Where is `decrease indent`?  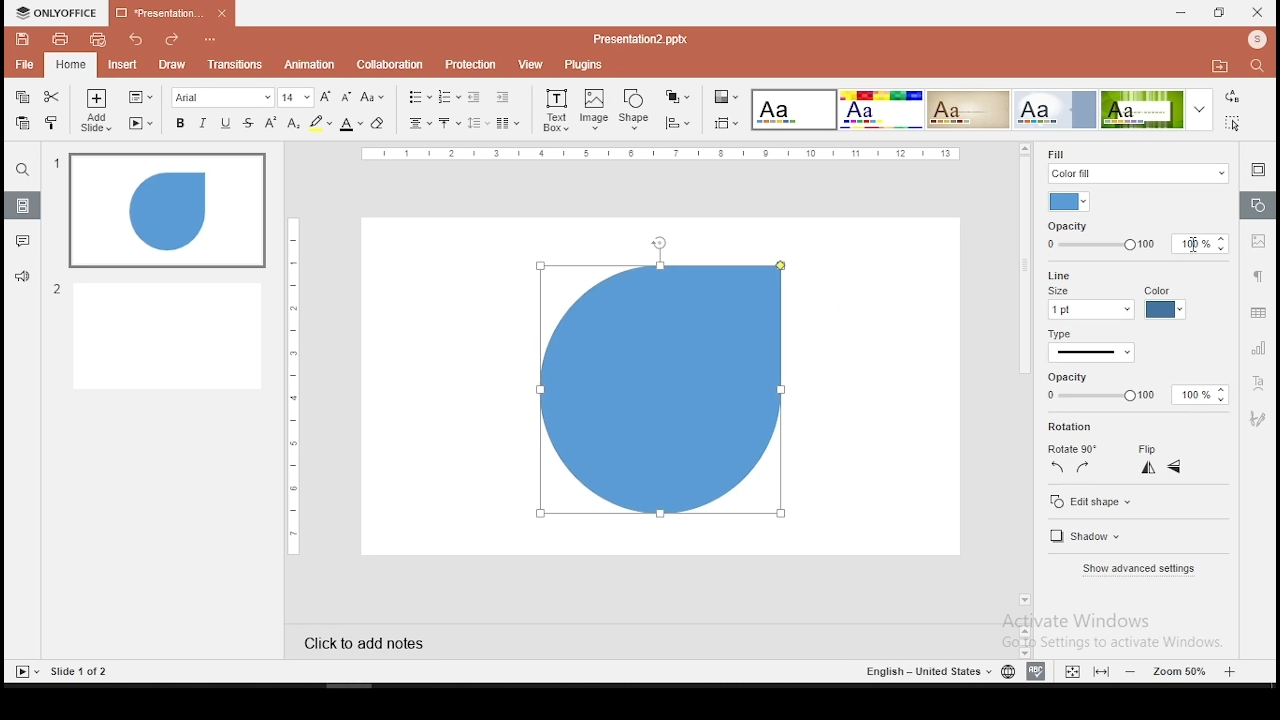 decrease indent is located at coordinates (473, 97).